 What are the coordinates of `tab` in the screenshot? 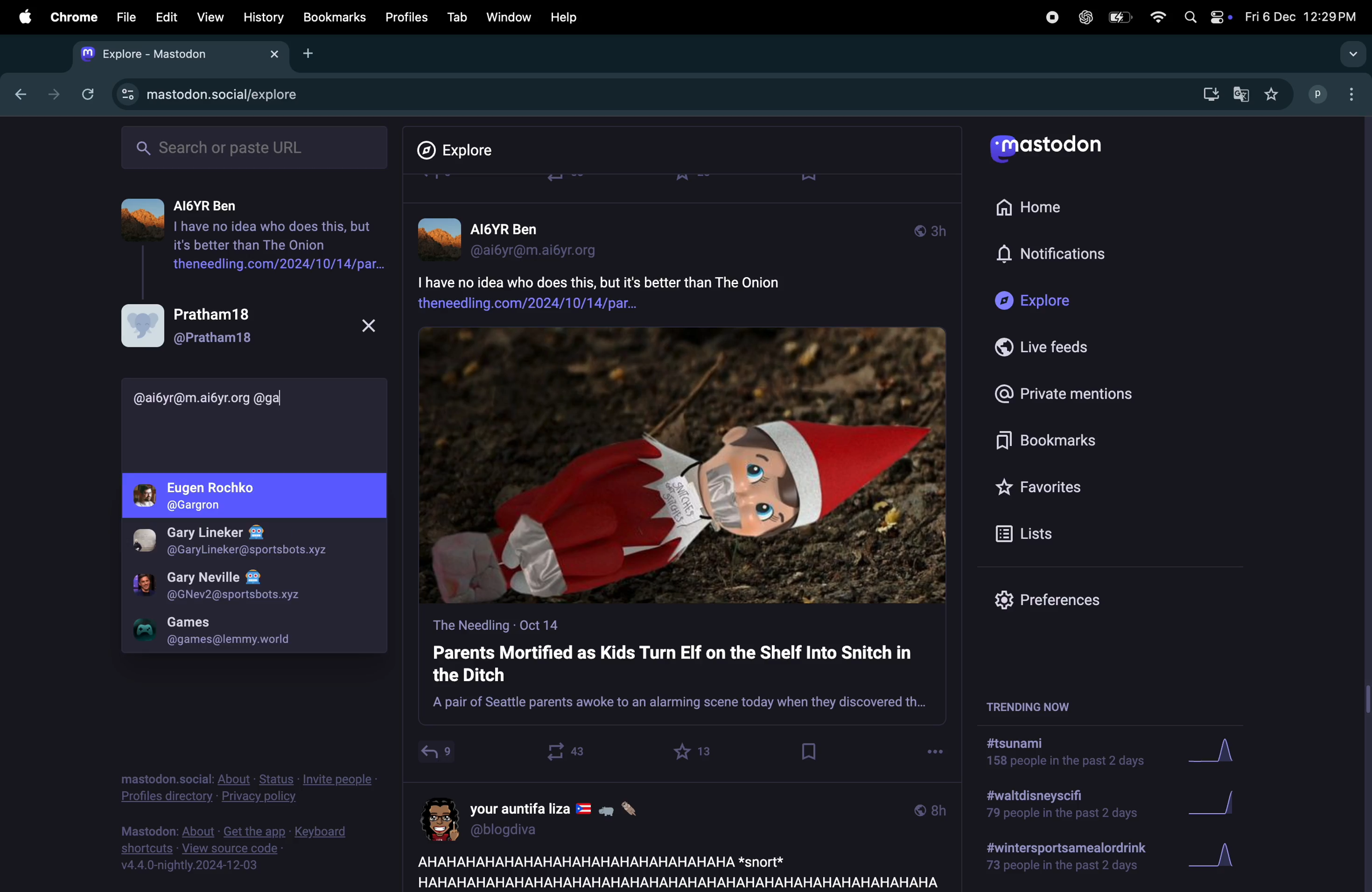 It's located at (457, 17).